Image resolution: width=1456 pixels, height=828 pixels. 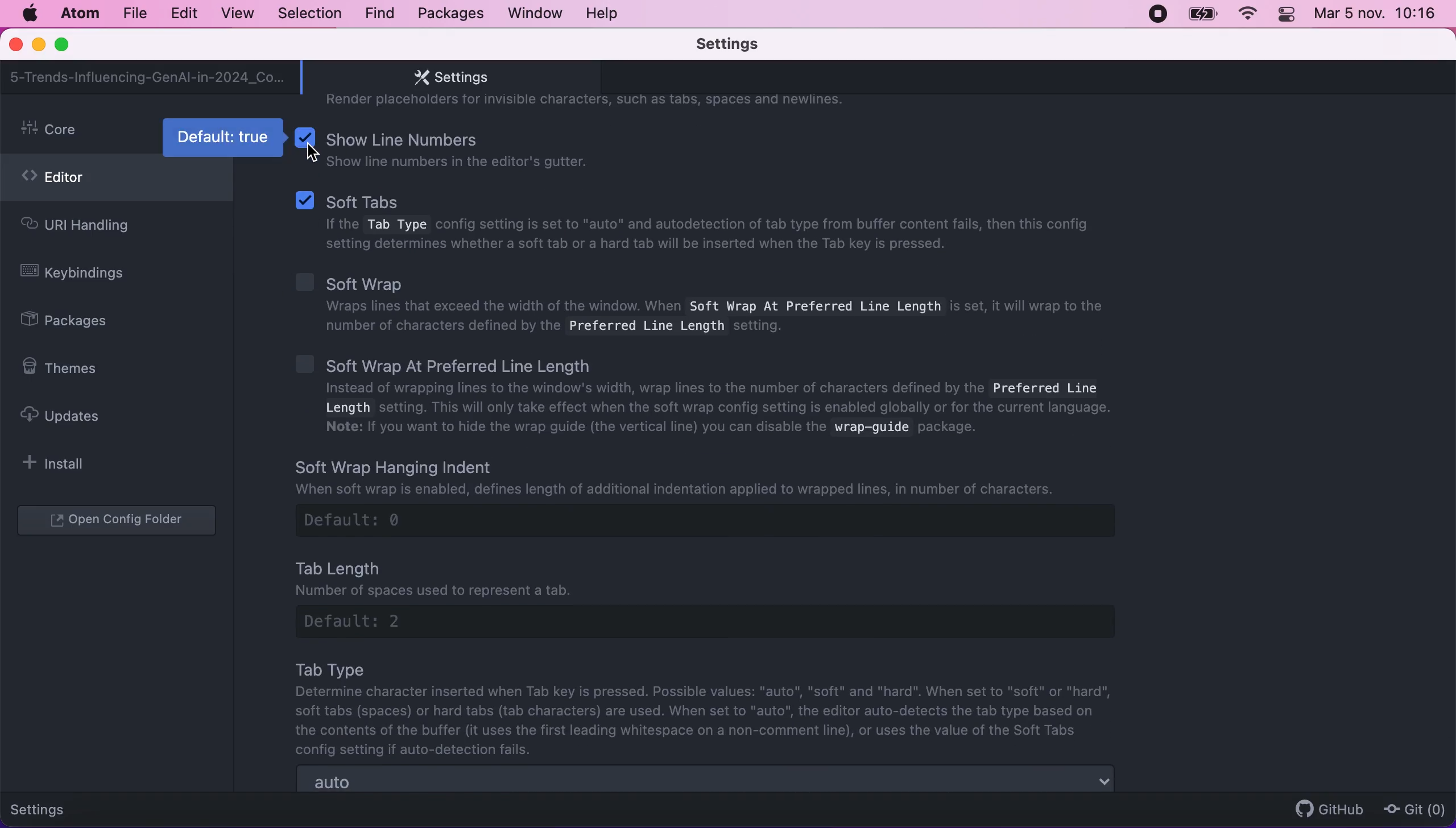 I want to click on view, so click(x=234, y=14).